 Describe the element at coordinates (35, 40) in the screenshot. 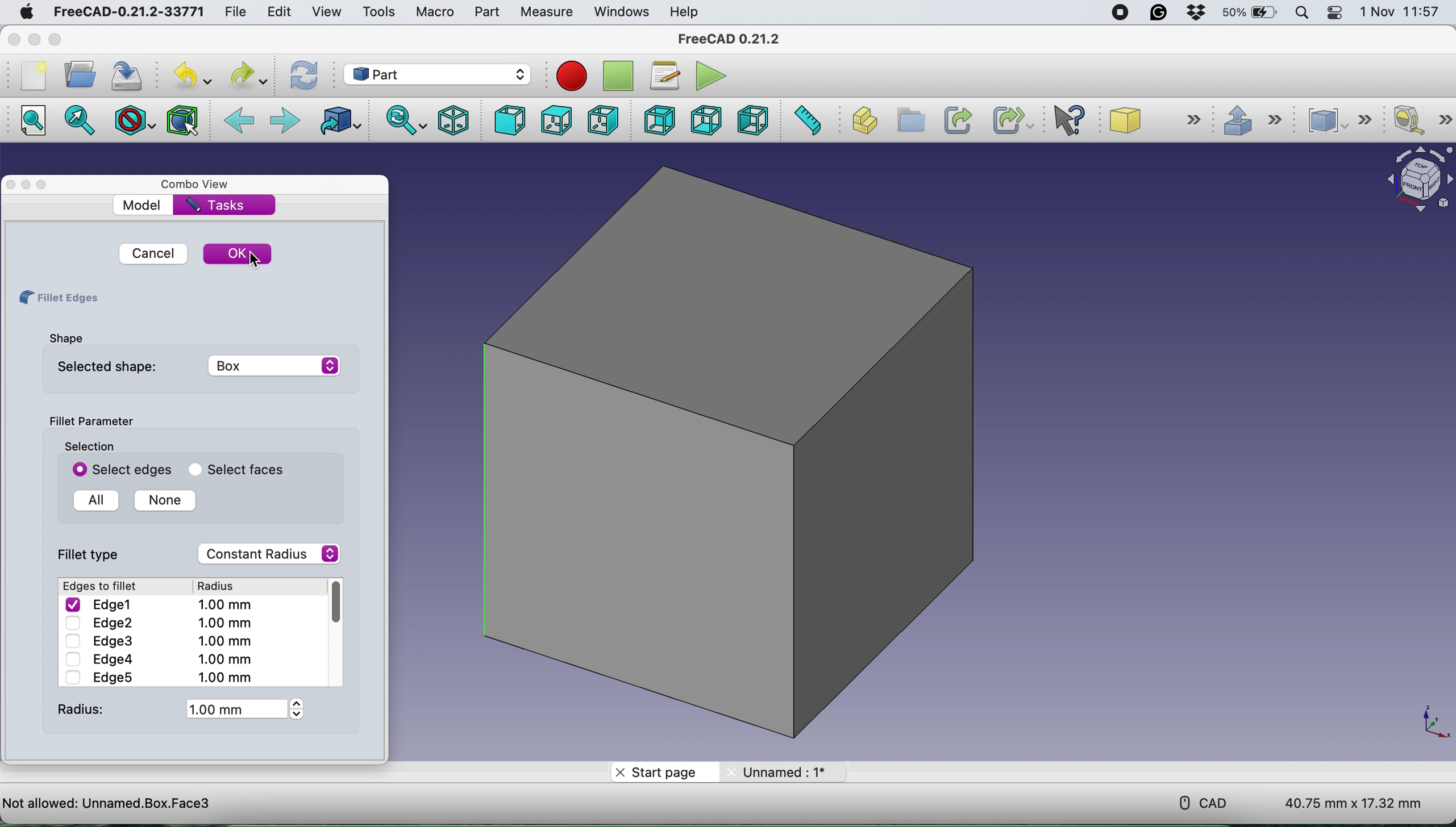

I see `minimise` at that location.